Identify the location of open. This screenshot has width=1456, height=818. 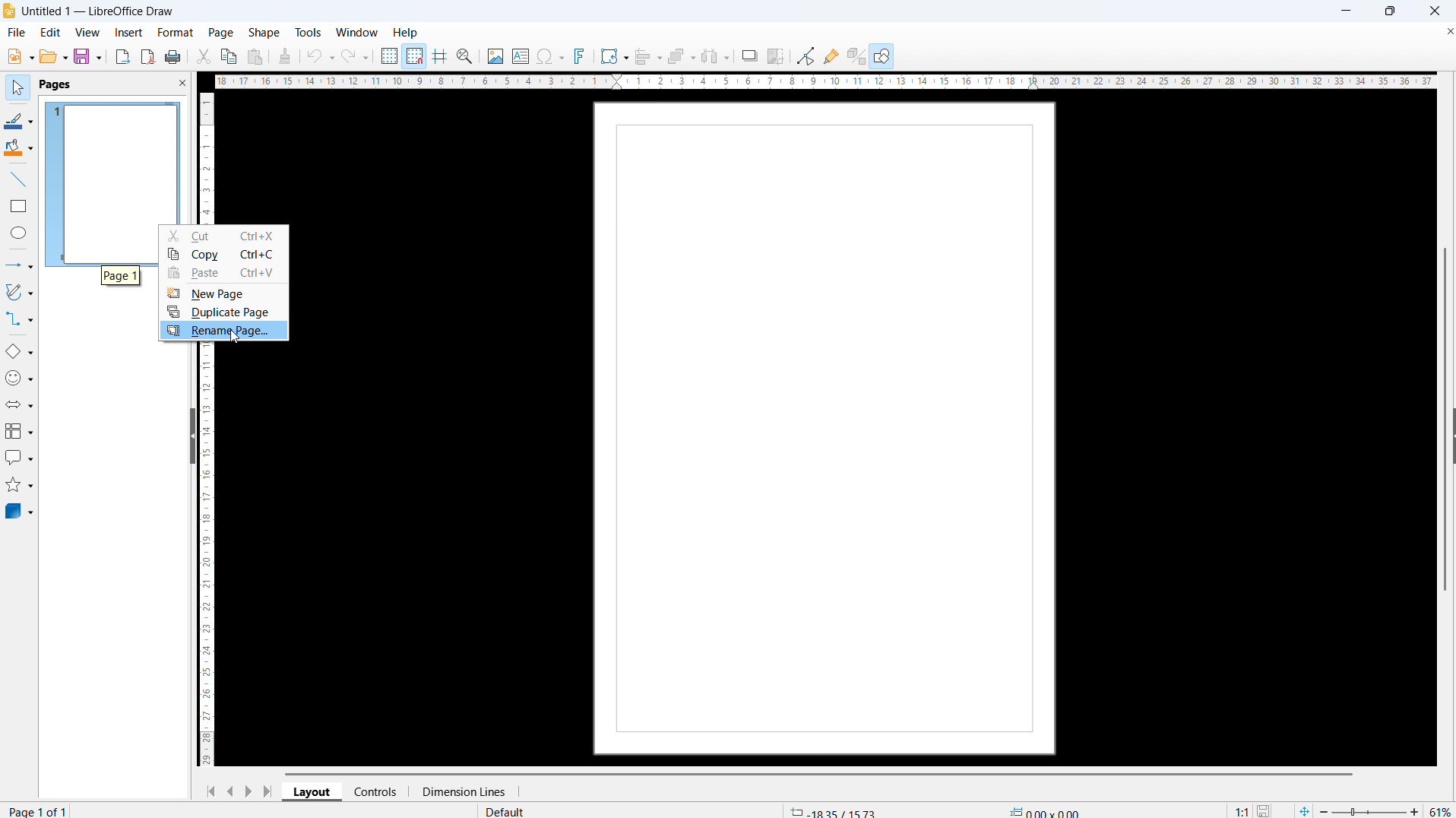
(54, 57).